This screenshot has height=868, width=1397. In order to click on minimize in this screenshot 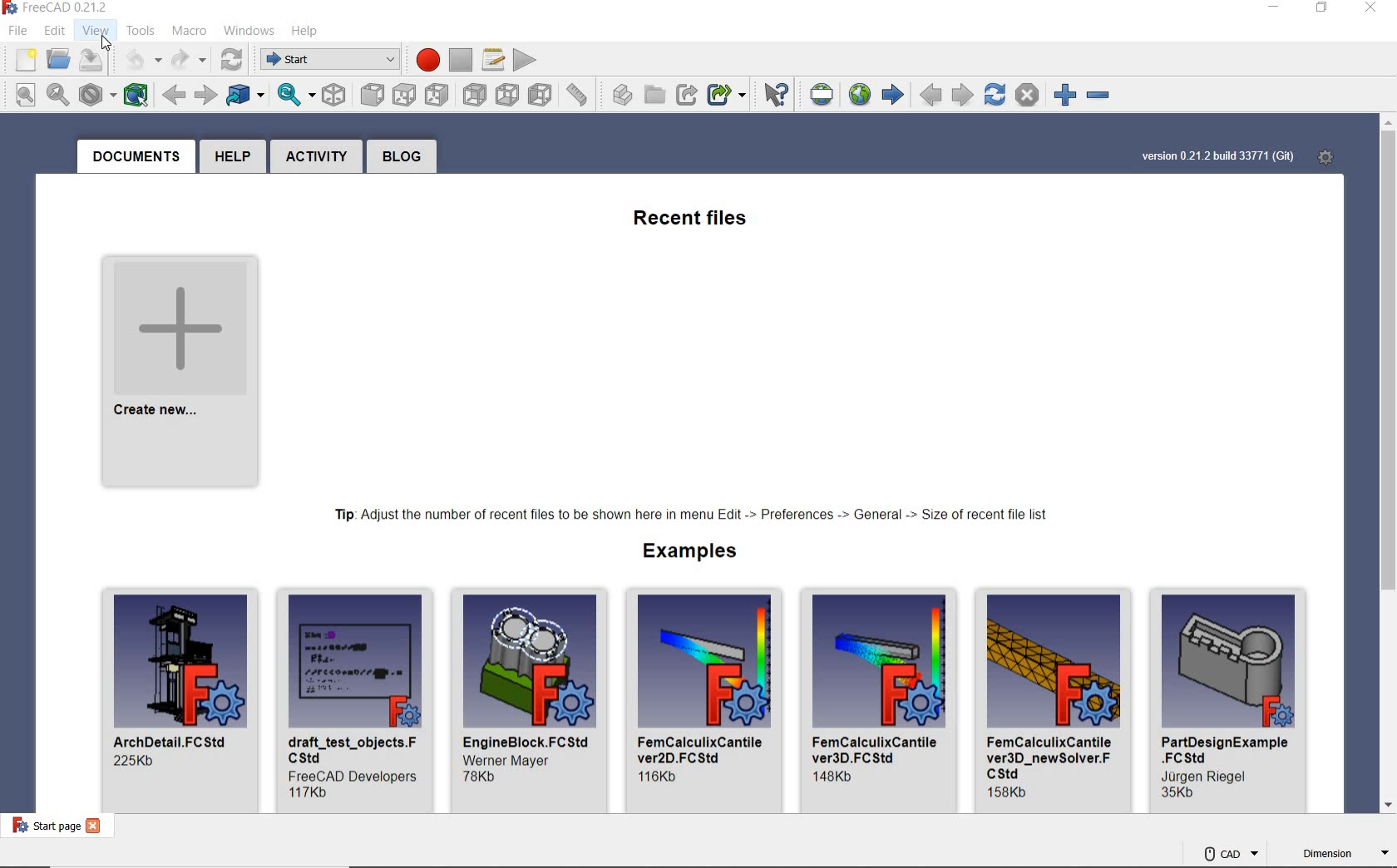, I will do `click(1272, 8)`.